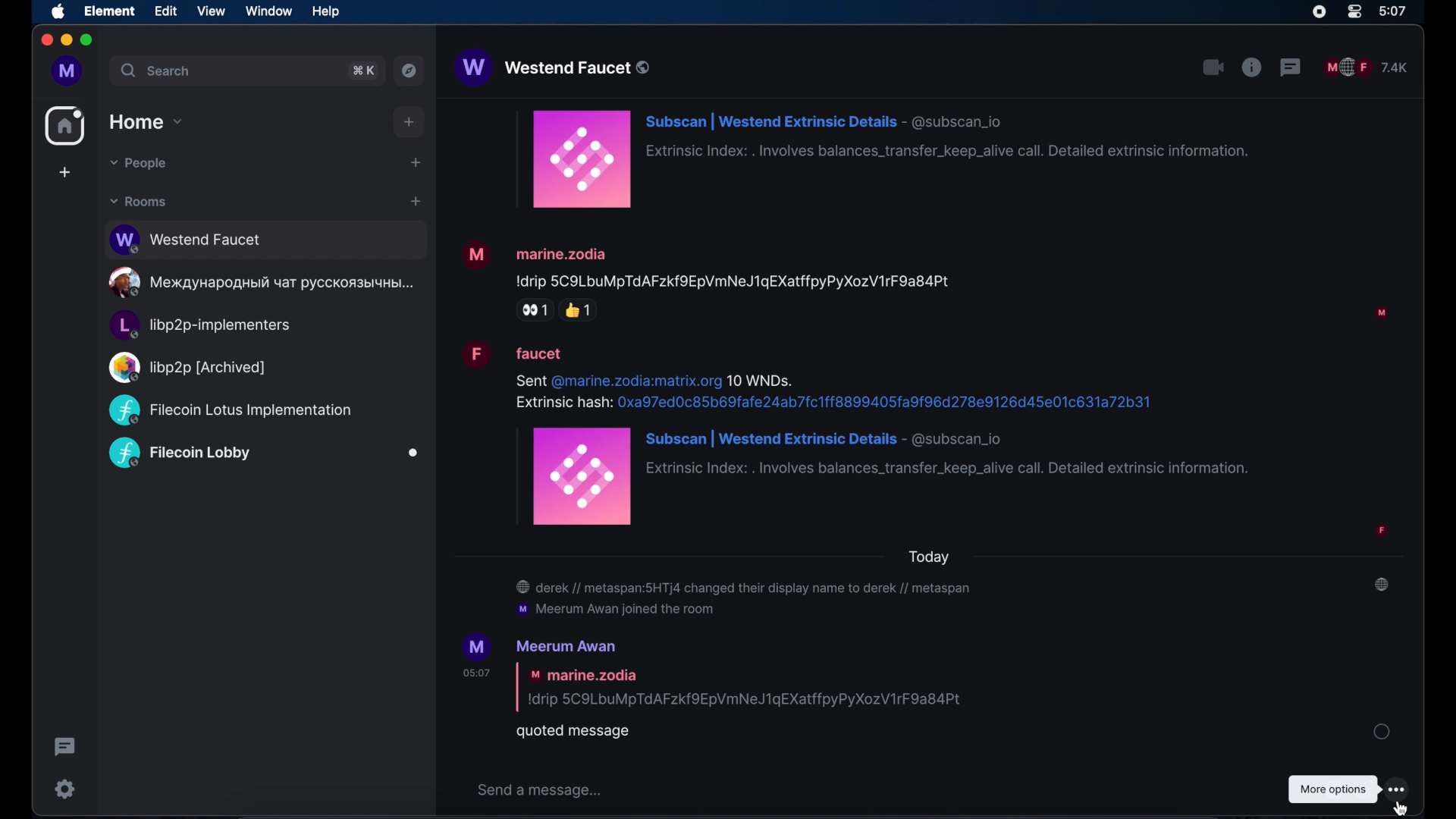  Describe the element at coordinates (363, 71) in the screenshot. I see `search shortcut` at that location.